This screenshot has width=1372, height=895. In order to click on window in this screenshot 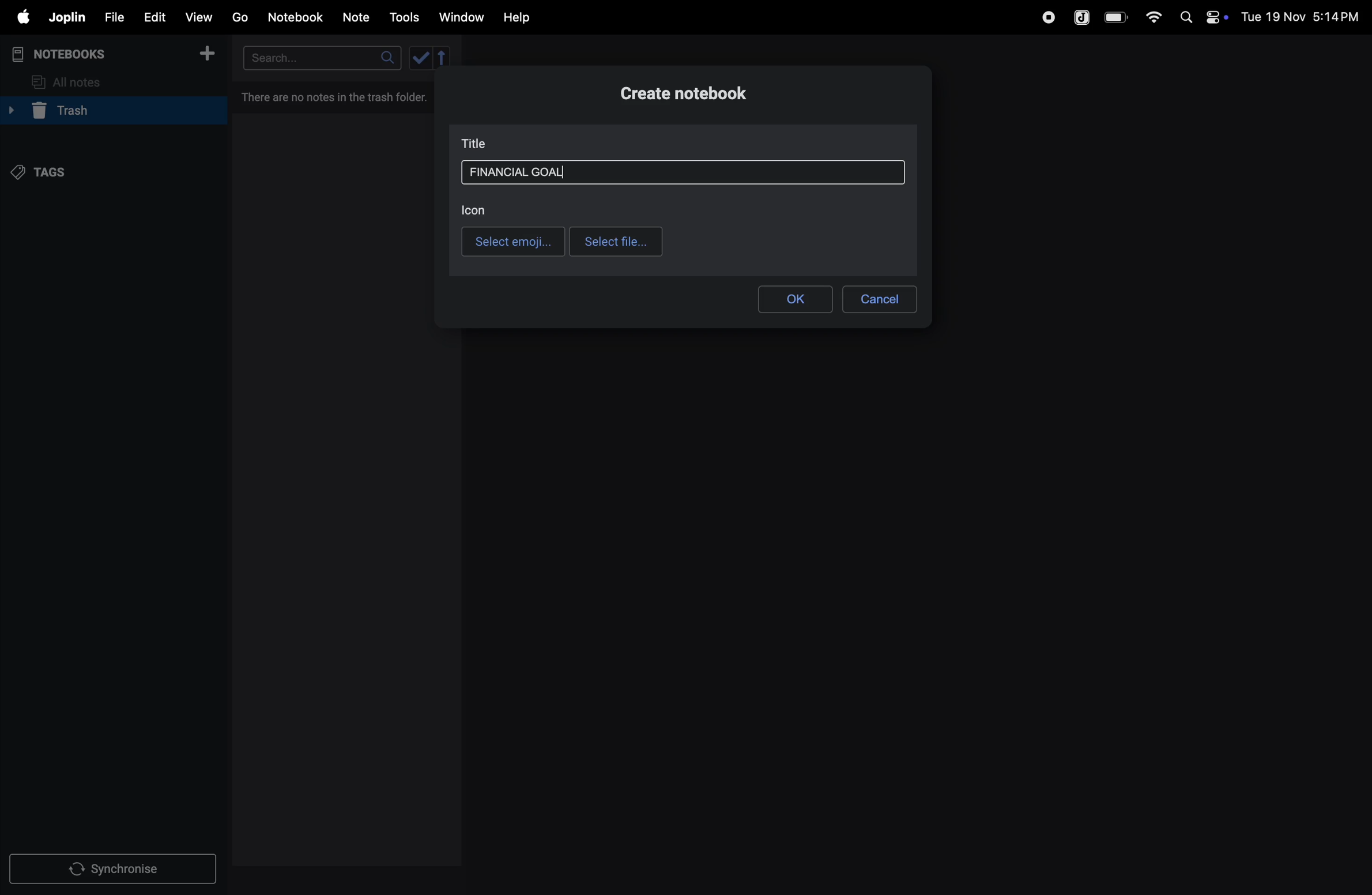, I will do `click(460, 18)`.